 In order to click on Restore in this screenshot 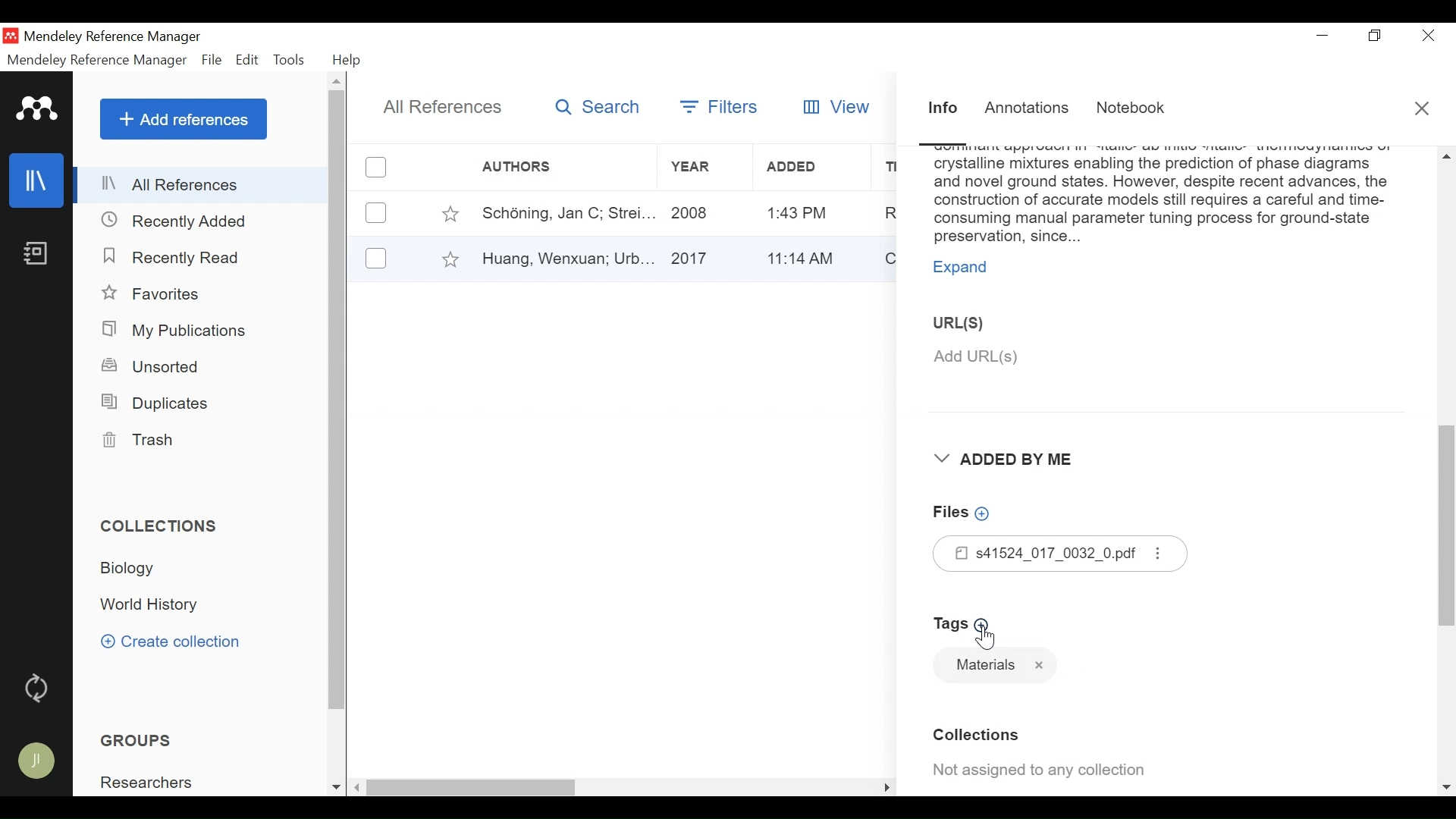, I will do `click(1377, 36)`.